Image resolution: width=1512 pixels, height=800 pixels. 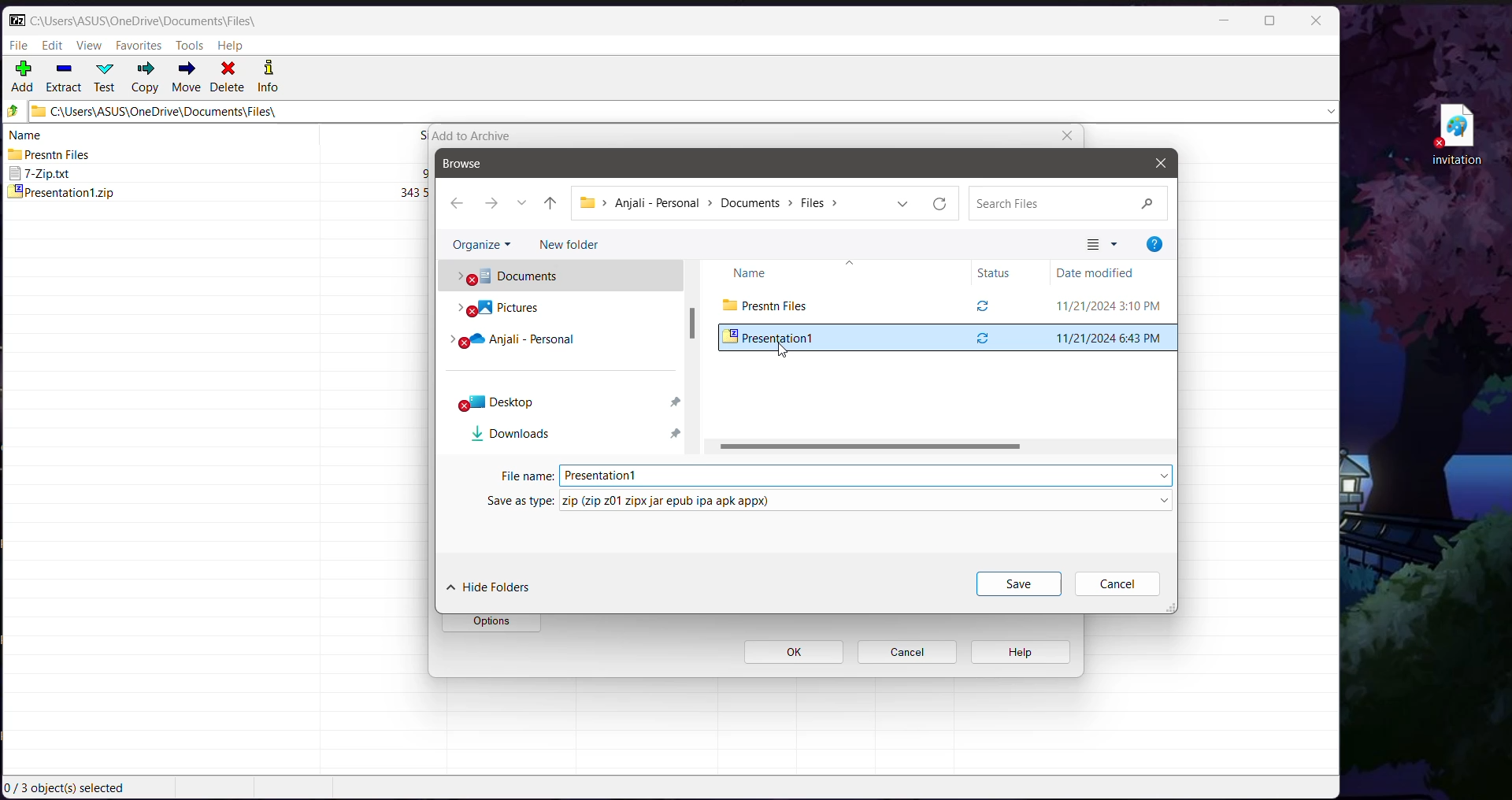 What do you see at coordinates (550, 204) in the screenshot?
I see `Move up one level` at bounding box center [550, 204].